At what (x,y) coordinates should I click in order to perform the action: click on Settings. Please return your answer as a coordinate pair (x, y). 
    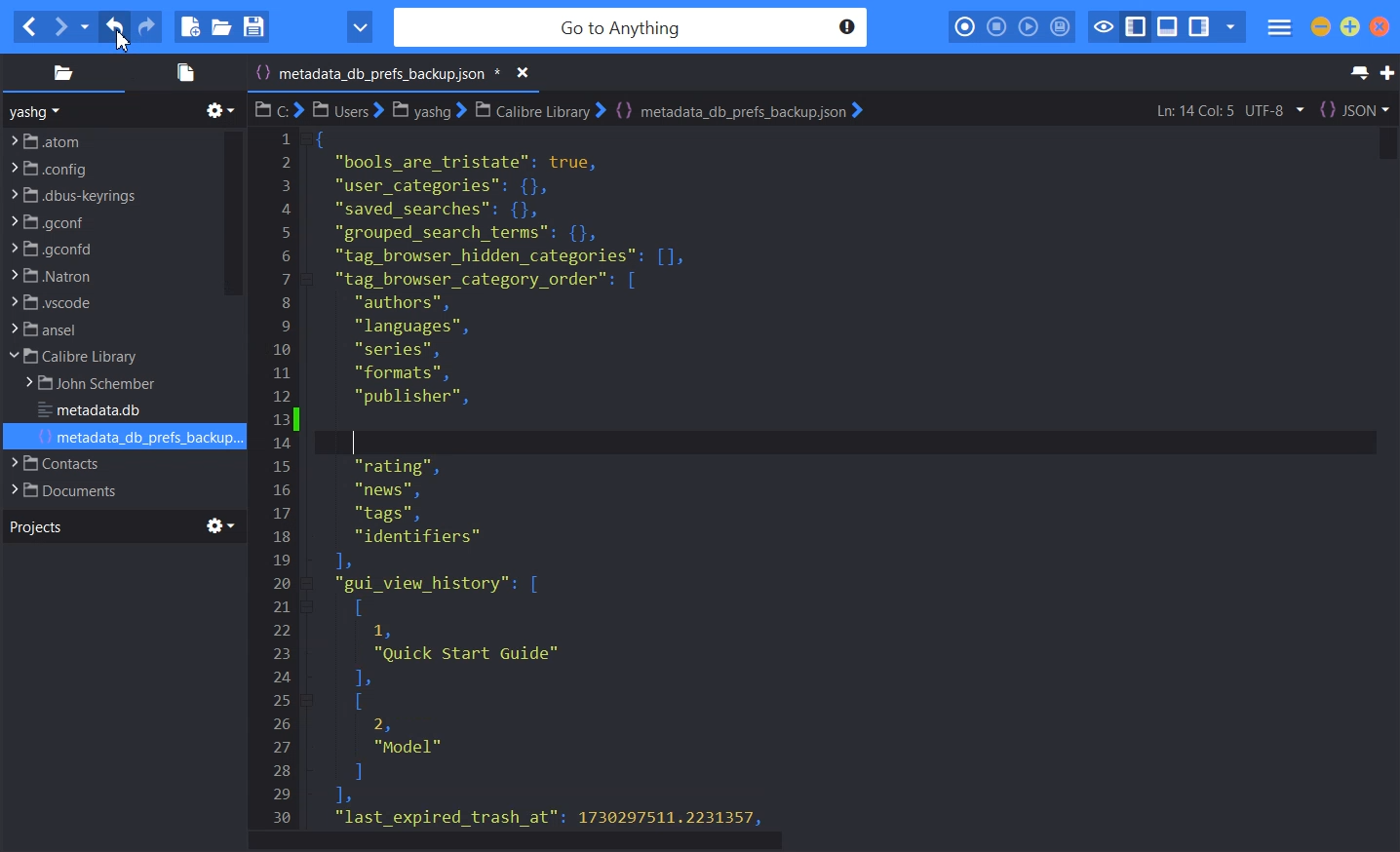
    Looking at the image, I should click on (221, 525).